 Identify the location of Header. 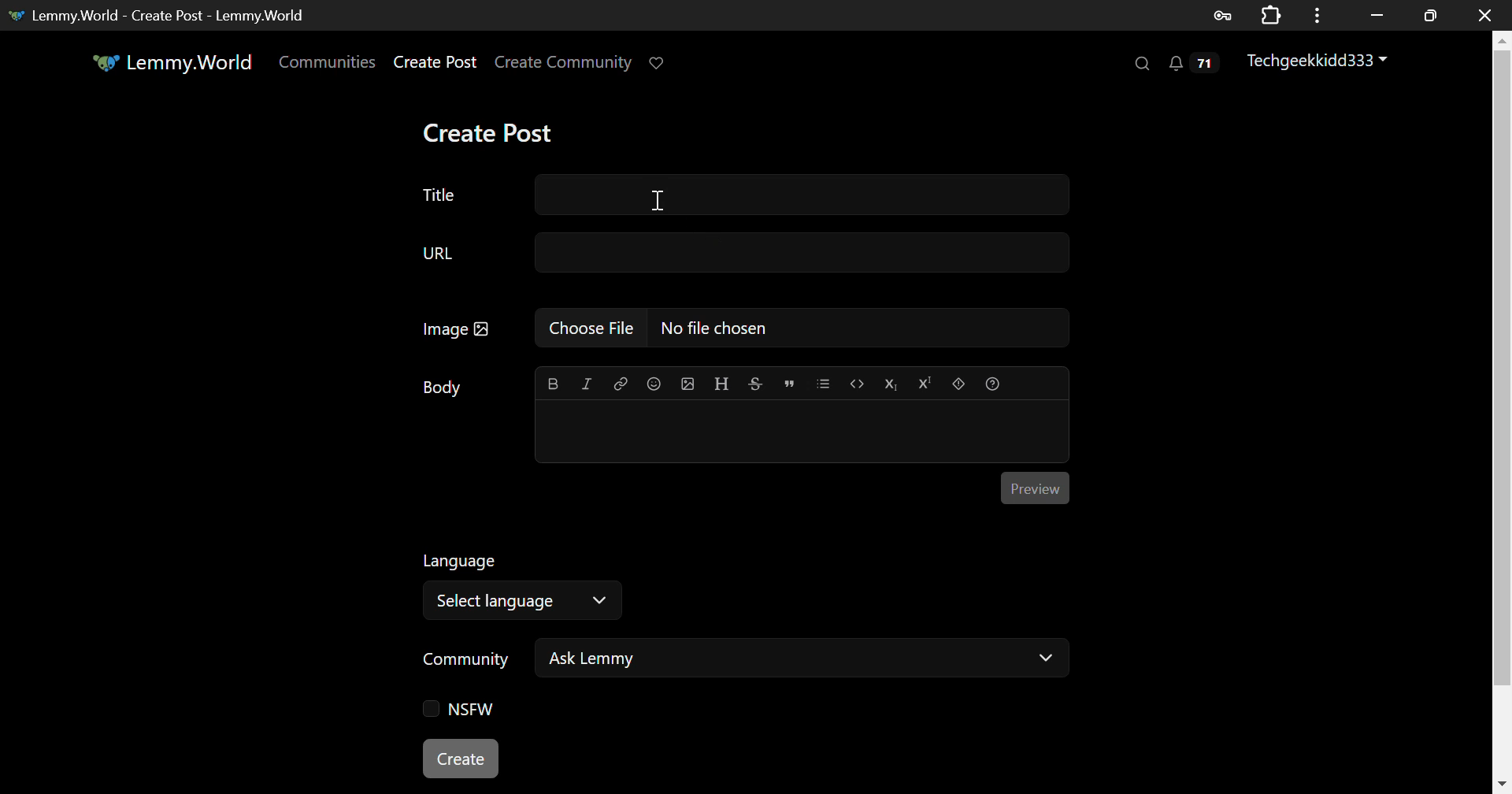
(722, 384).